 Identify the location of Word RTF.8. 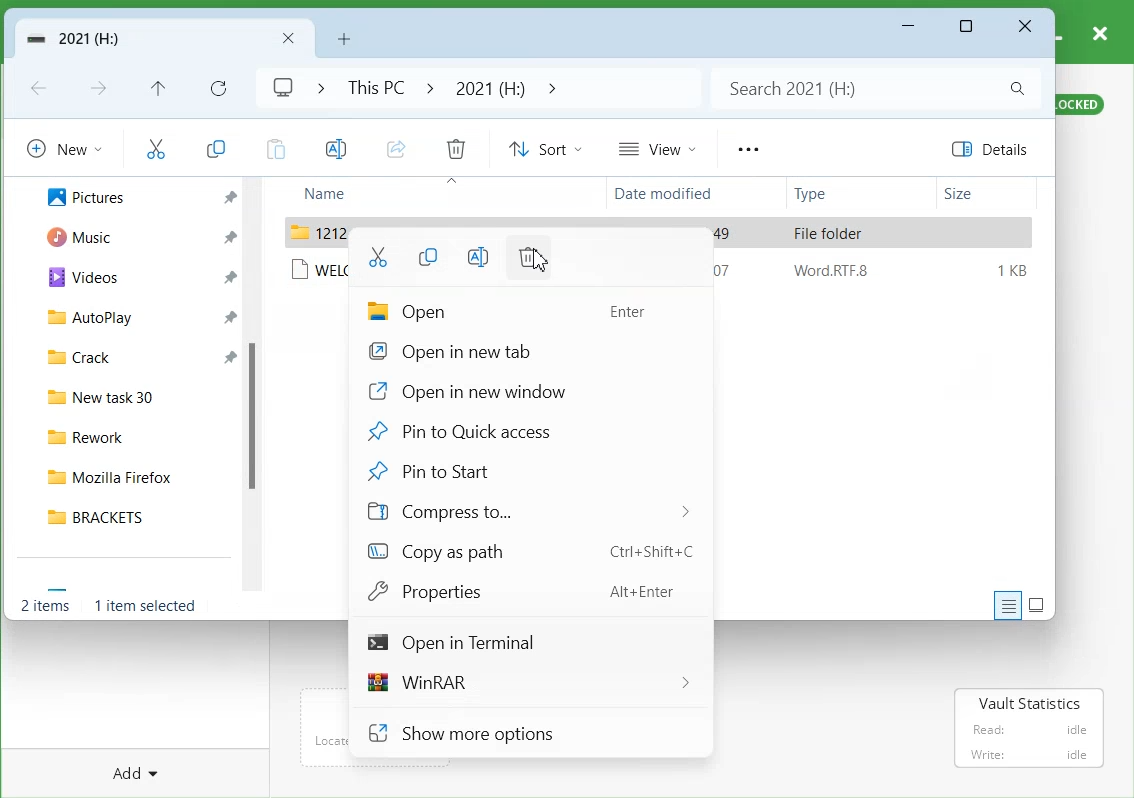
(829, 274).